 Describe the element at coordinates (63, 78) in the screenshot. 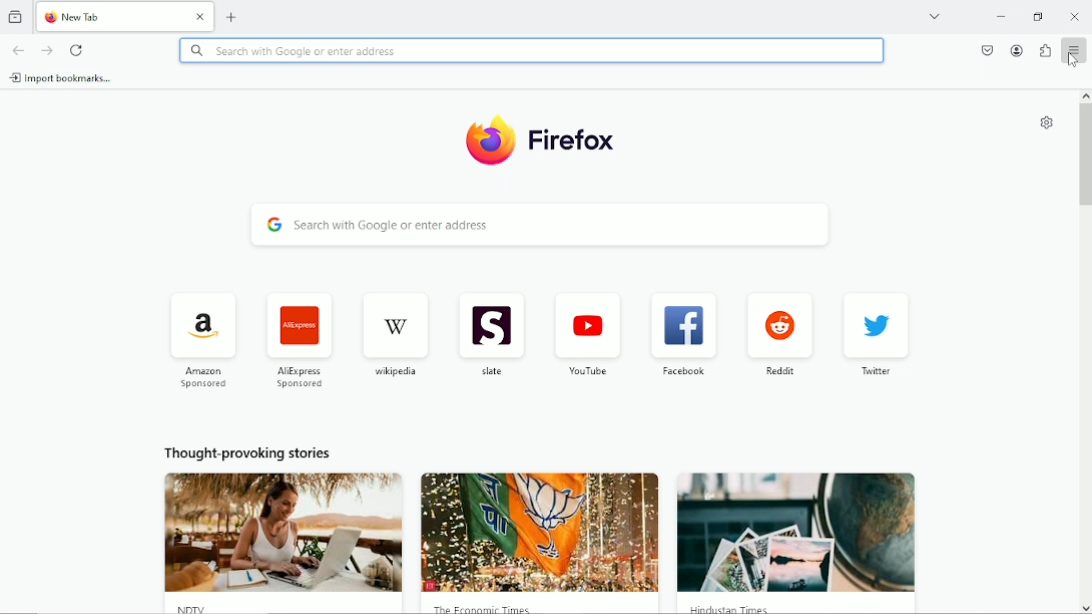

I see `import bookmarks` at that location.